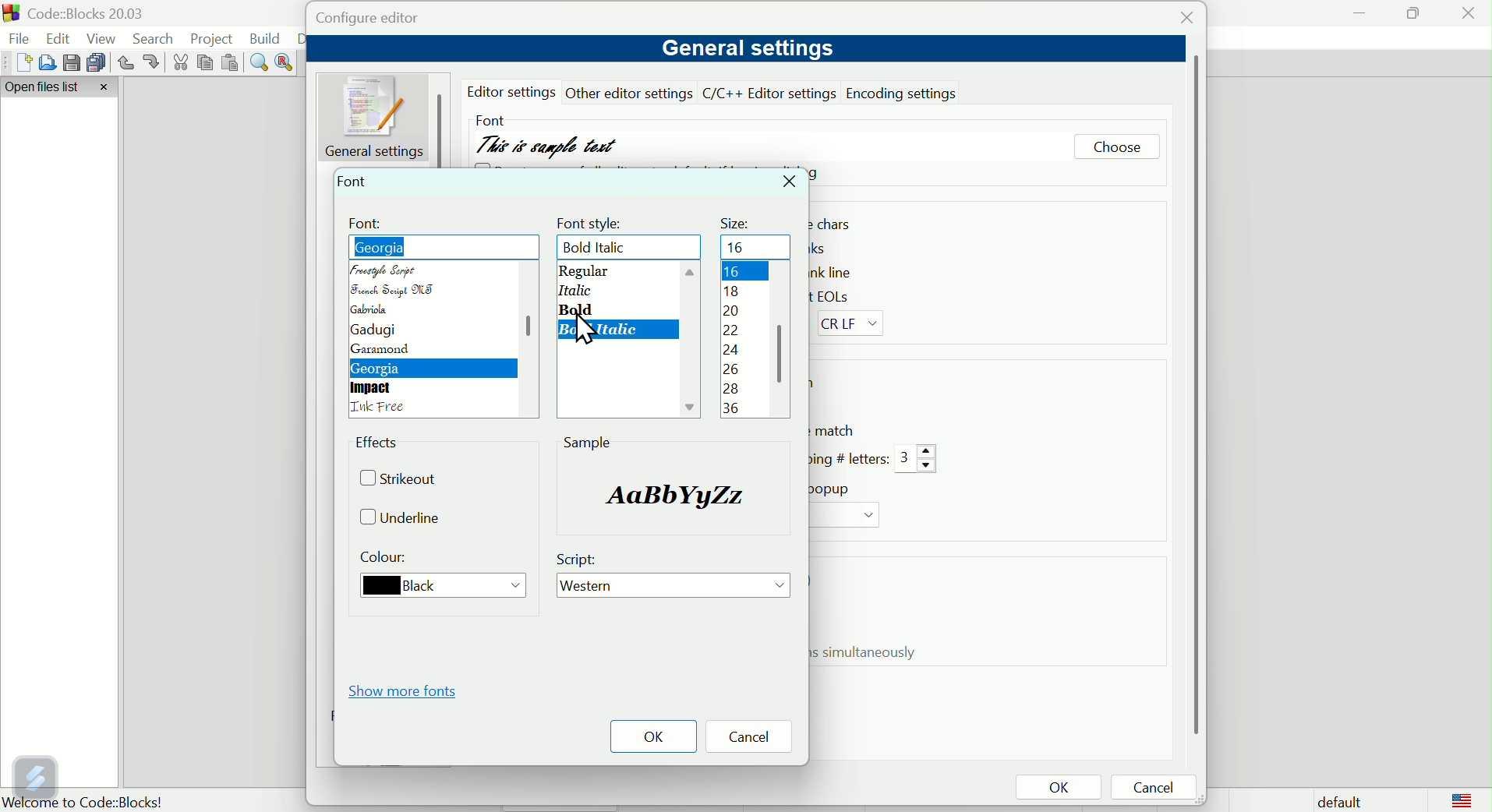  Describe the element at coordinates (783, 344) in the screenshot. I see `scroll bar` at that location.